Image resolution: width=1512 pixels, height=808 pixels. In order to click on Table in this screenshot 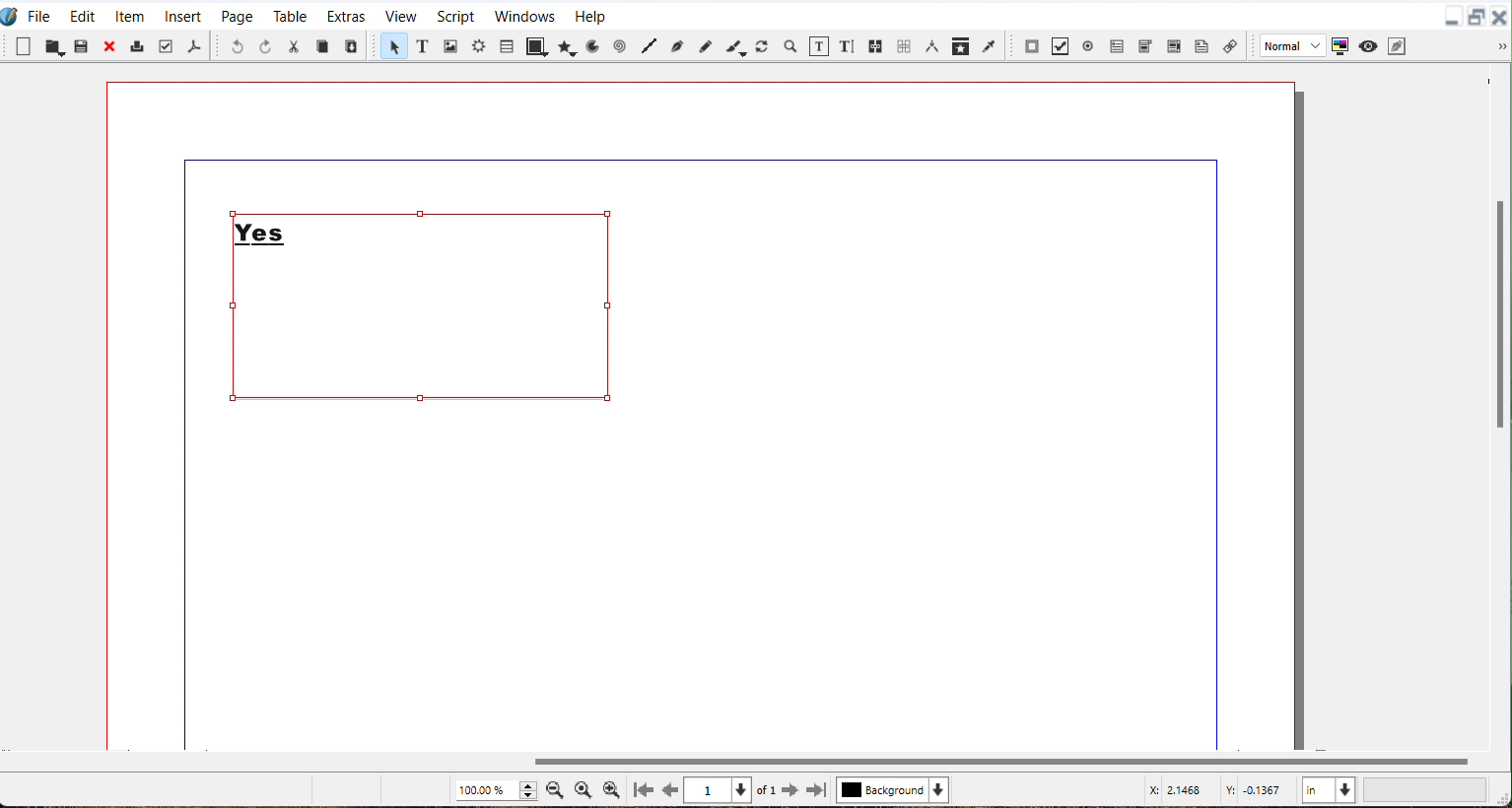, I will do `click(507, 45)`.